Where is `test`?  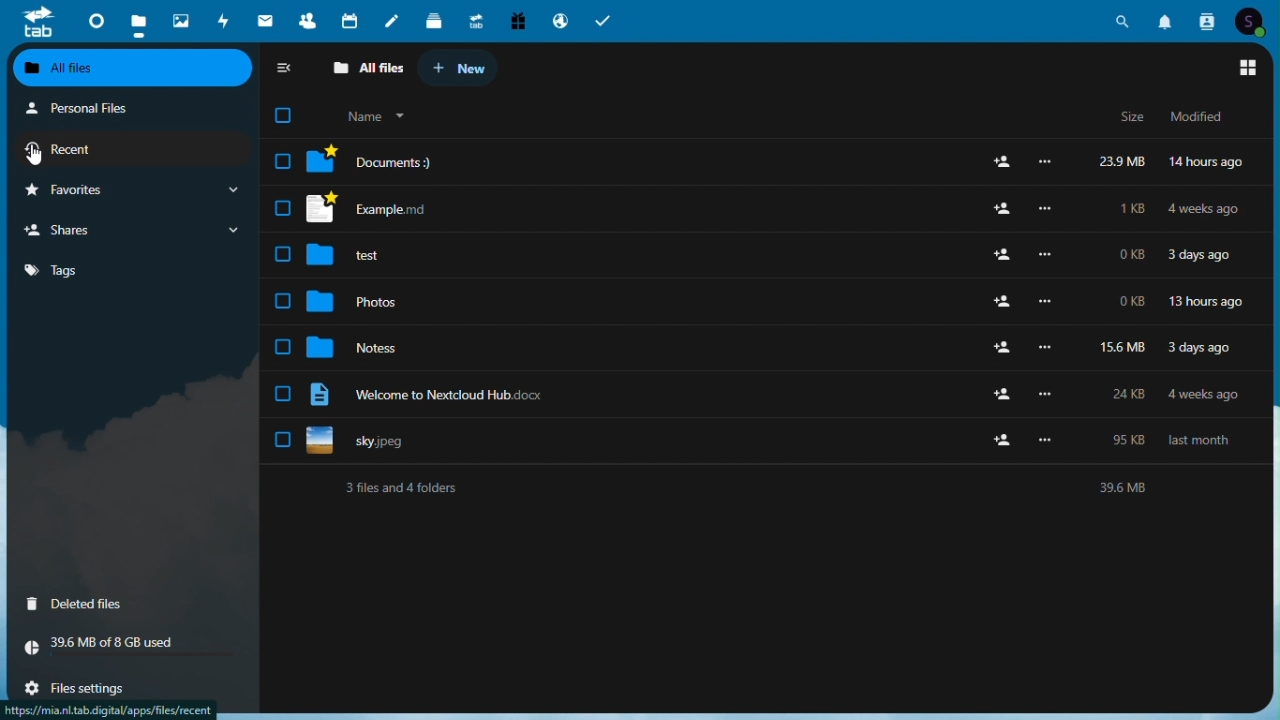
test is located at coordinates (363, 253).